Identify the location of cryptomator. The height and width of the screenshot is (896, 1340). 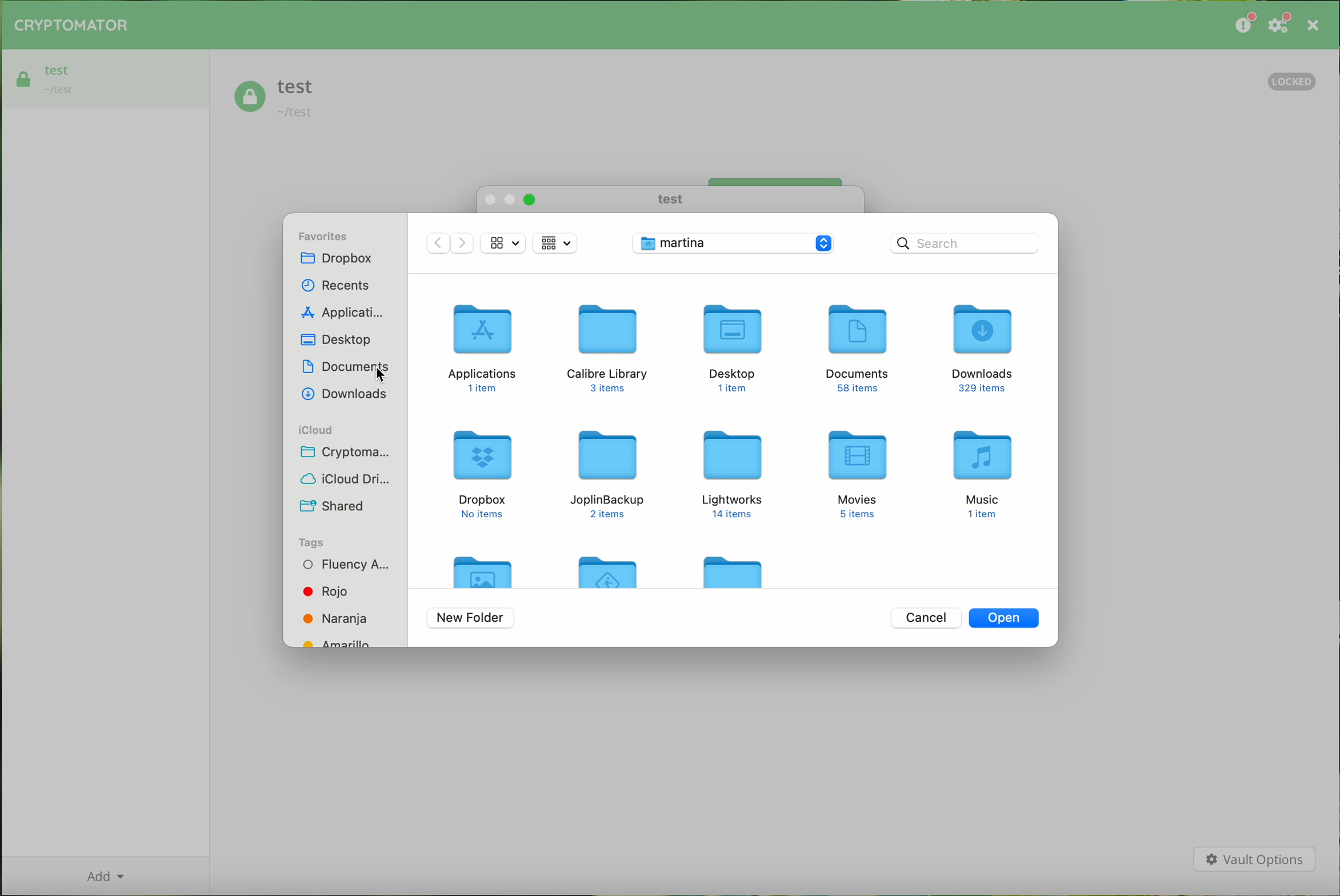
(351, 453).